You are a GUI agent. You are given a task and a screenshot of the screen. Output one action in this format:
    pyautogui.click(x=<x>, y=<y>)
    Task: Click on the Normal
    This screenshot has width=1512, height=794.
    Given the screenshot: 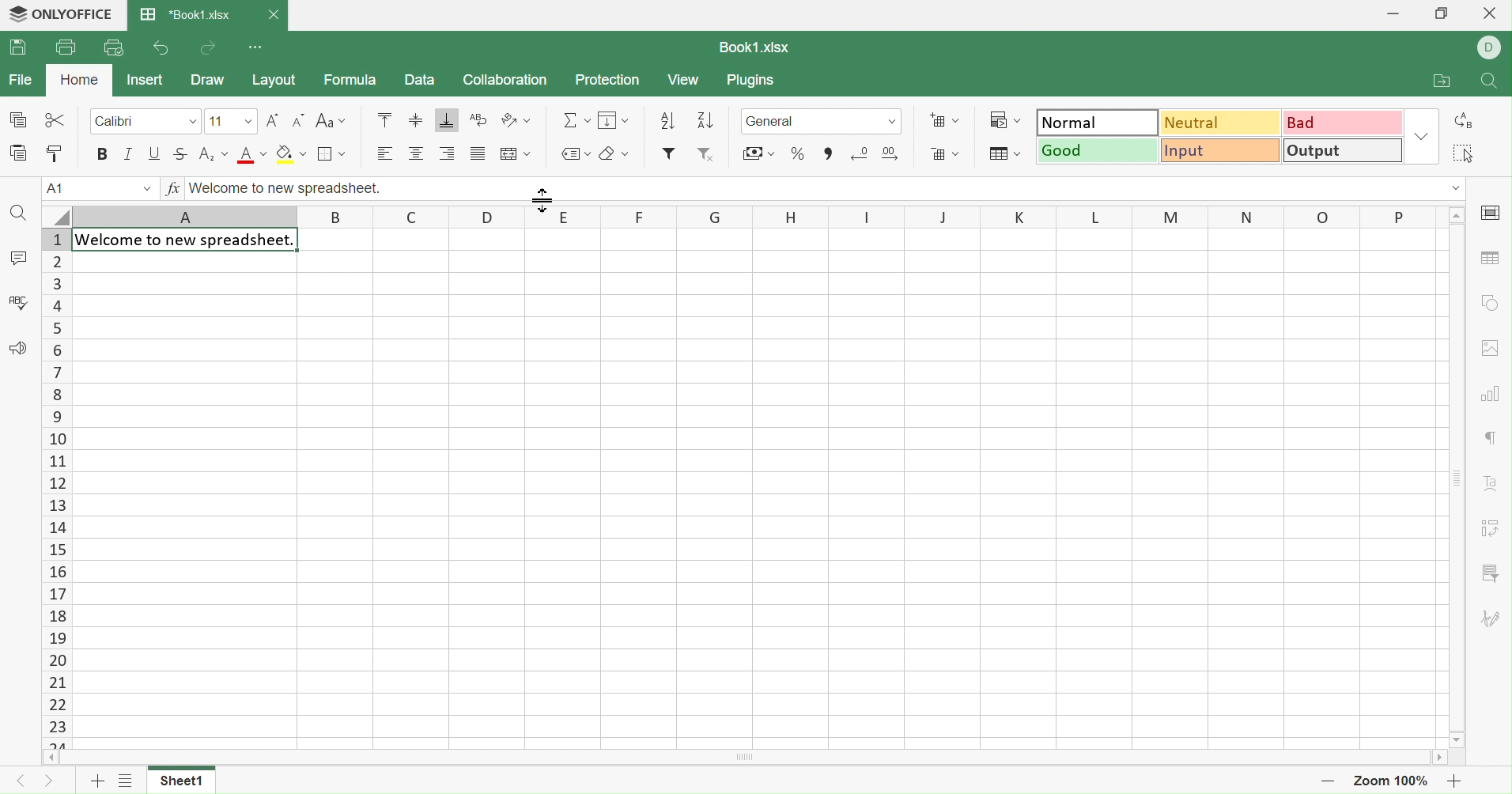 What is the action you would take?
    pyautogui.click(x=1098, y=122)
    